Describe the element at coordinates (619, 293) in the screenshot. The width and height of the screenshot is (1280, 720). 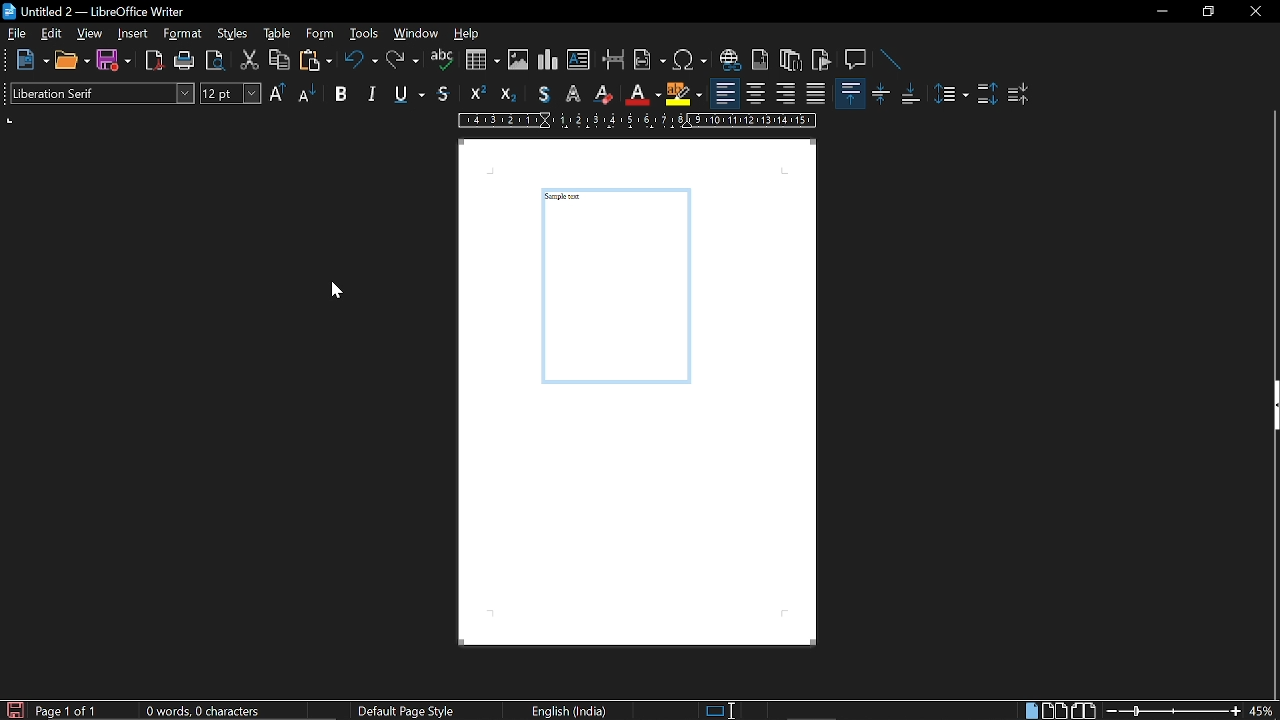
I see `"Sample text" added in a text box` at that location.